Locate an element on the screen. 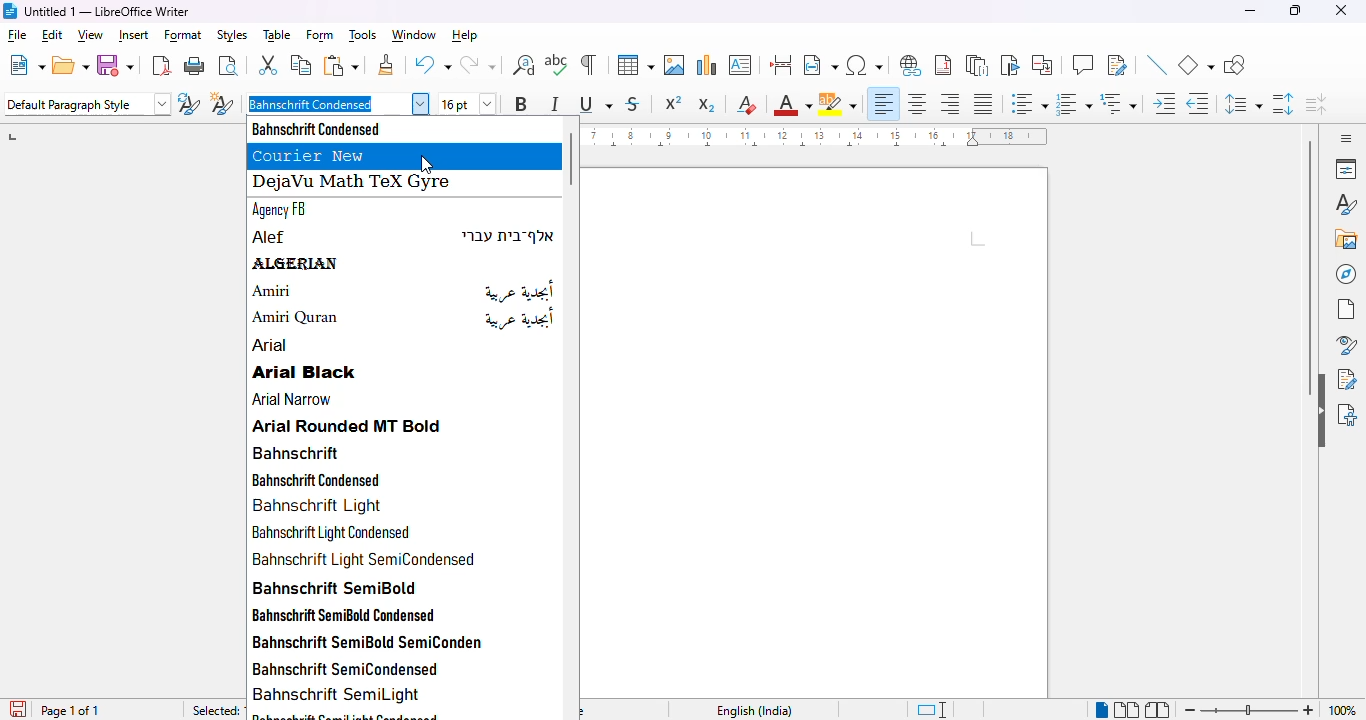  properties is located at coordinates (1346, 168).